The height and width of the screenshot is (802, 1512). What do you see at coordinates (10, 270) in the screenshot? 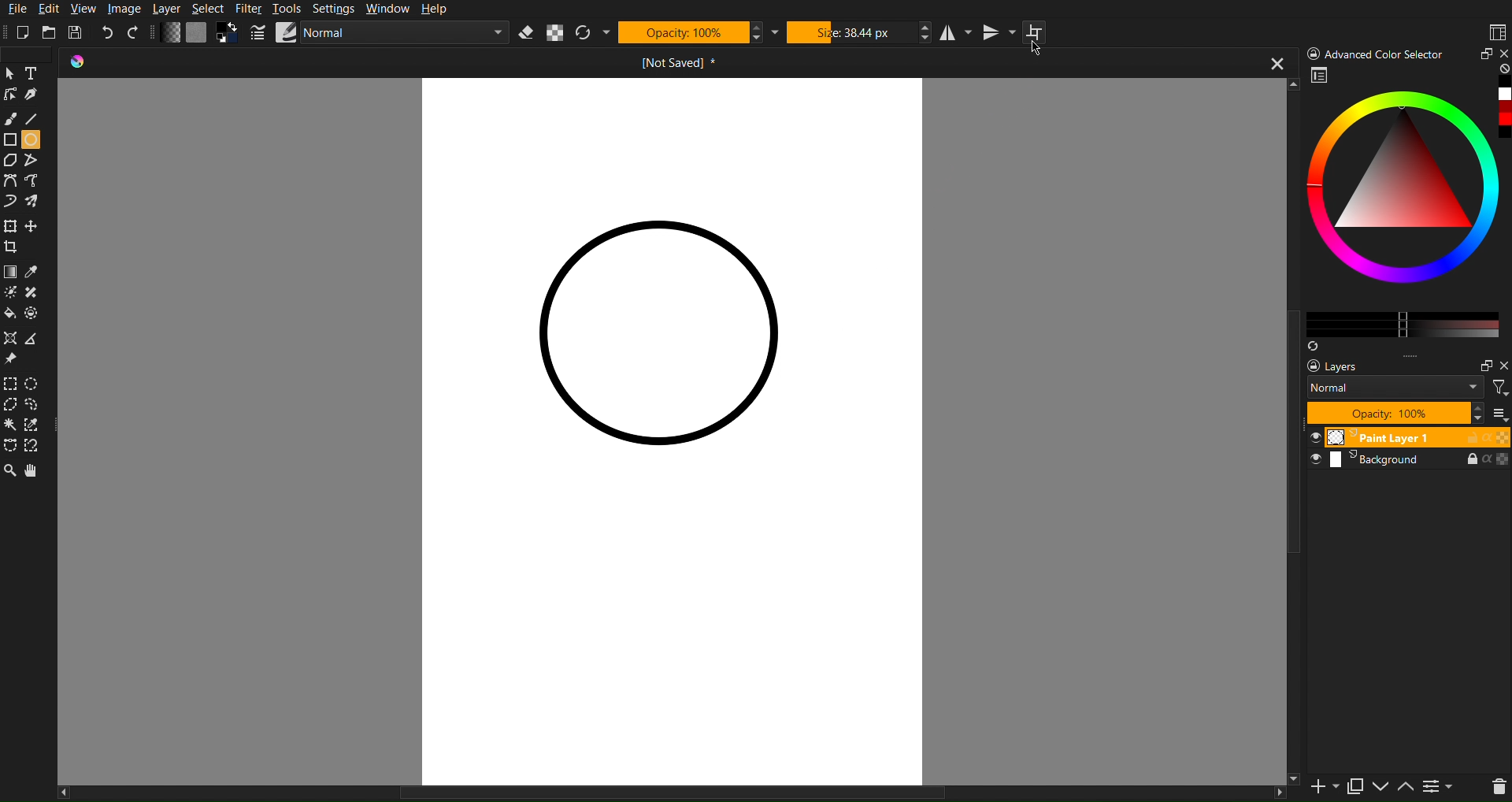
I see `Color Tools` at bounding box center [10, 270].